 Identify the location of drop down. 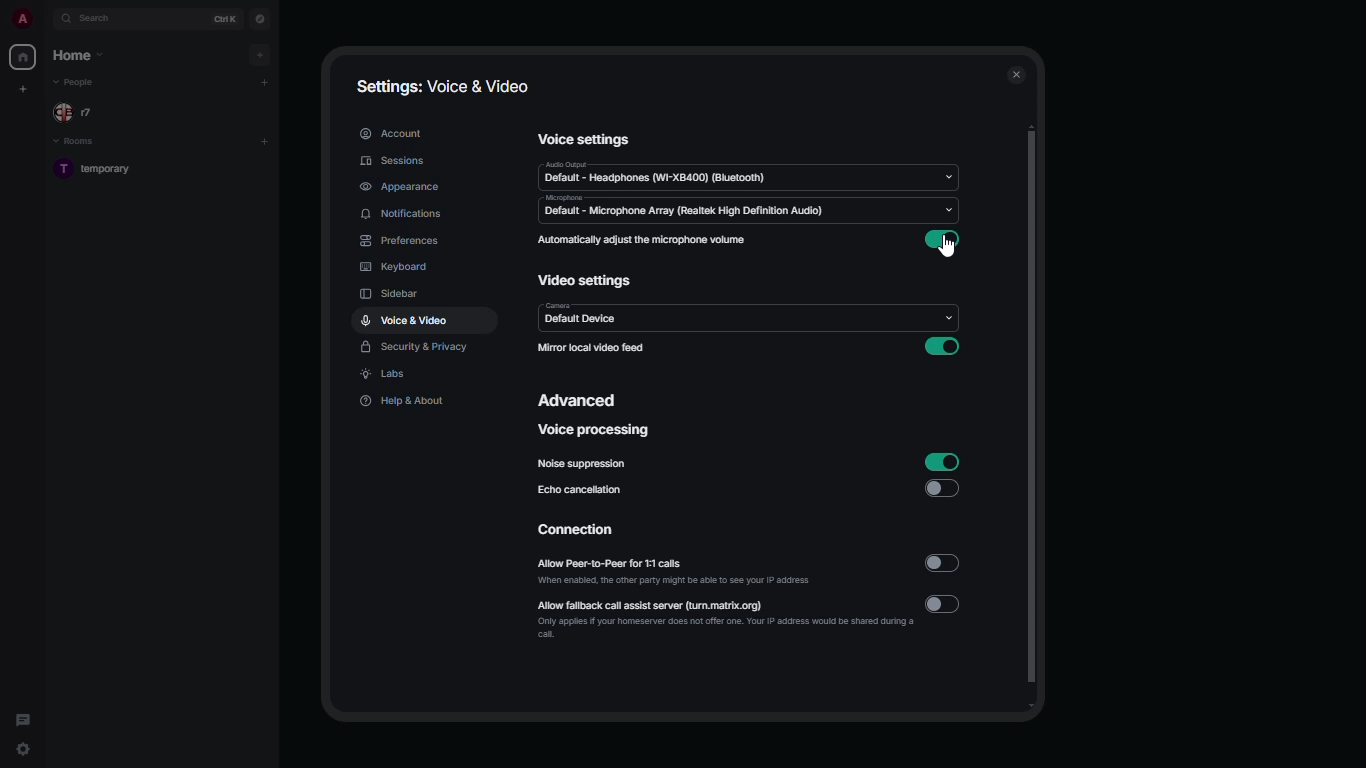
(950, 319).